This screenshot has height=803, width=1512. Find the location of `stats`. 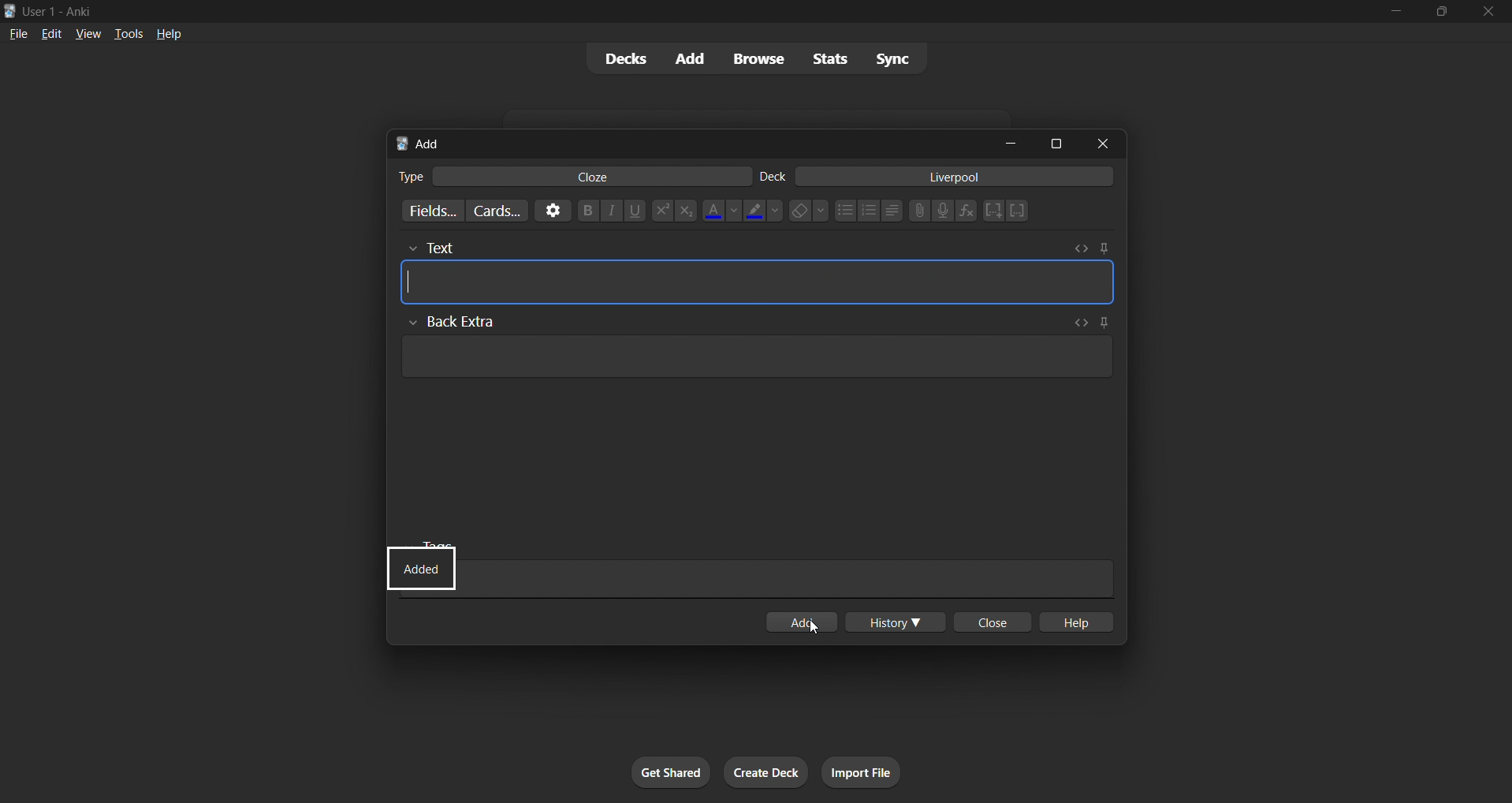

stats is located at coordinates (829, 60).